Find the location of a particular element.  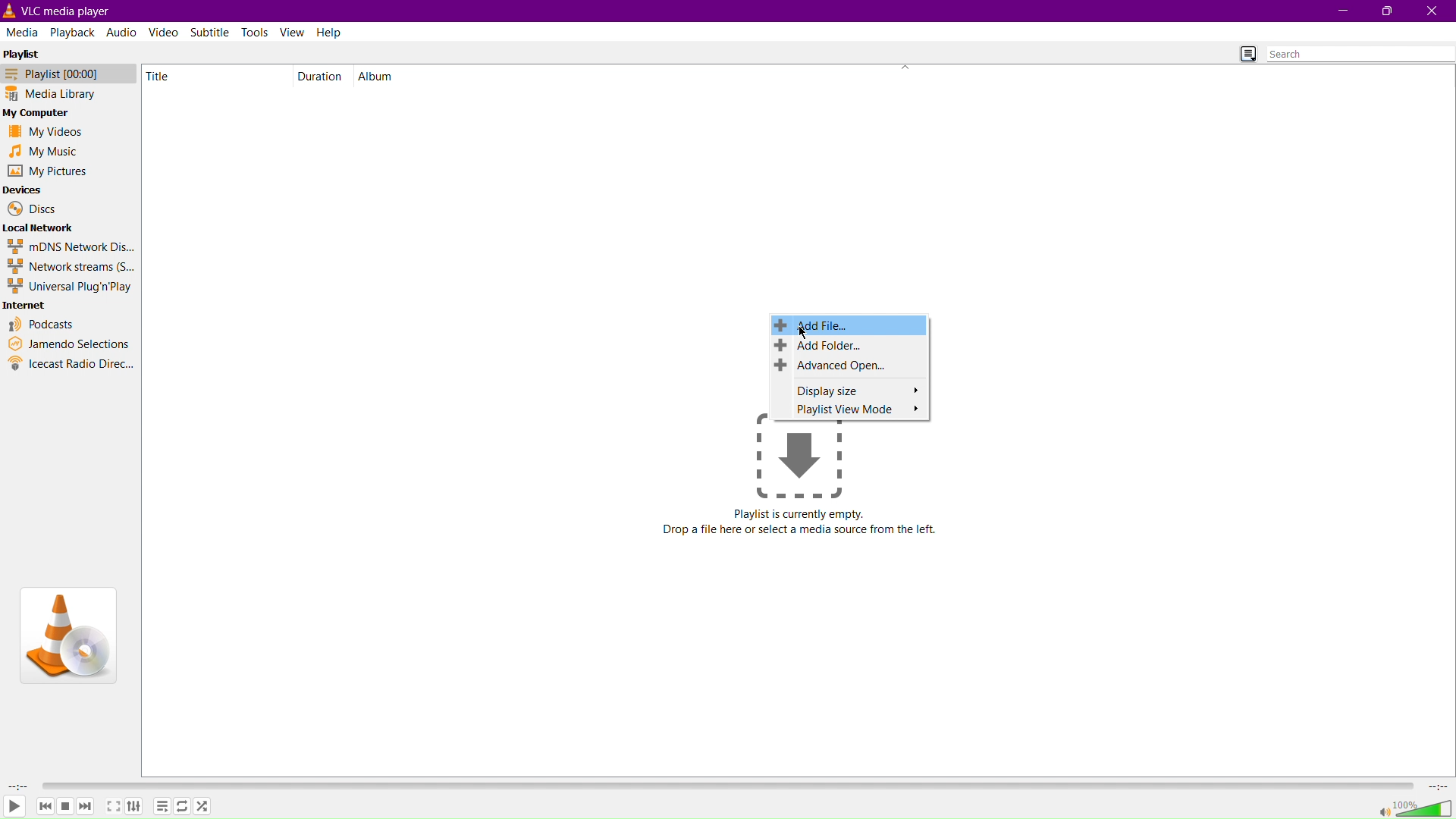

Close is located at coordinates (1432, 11).